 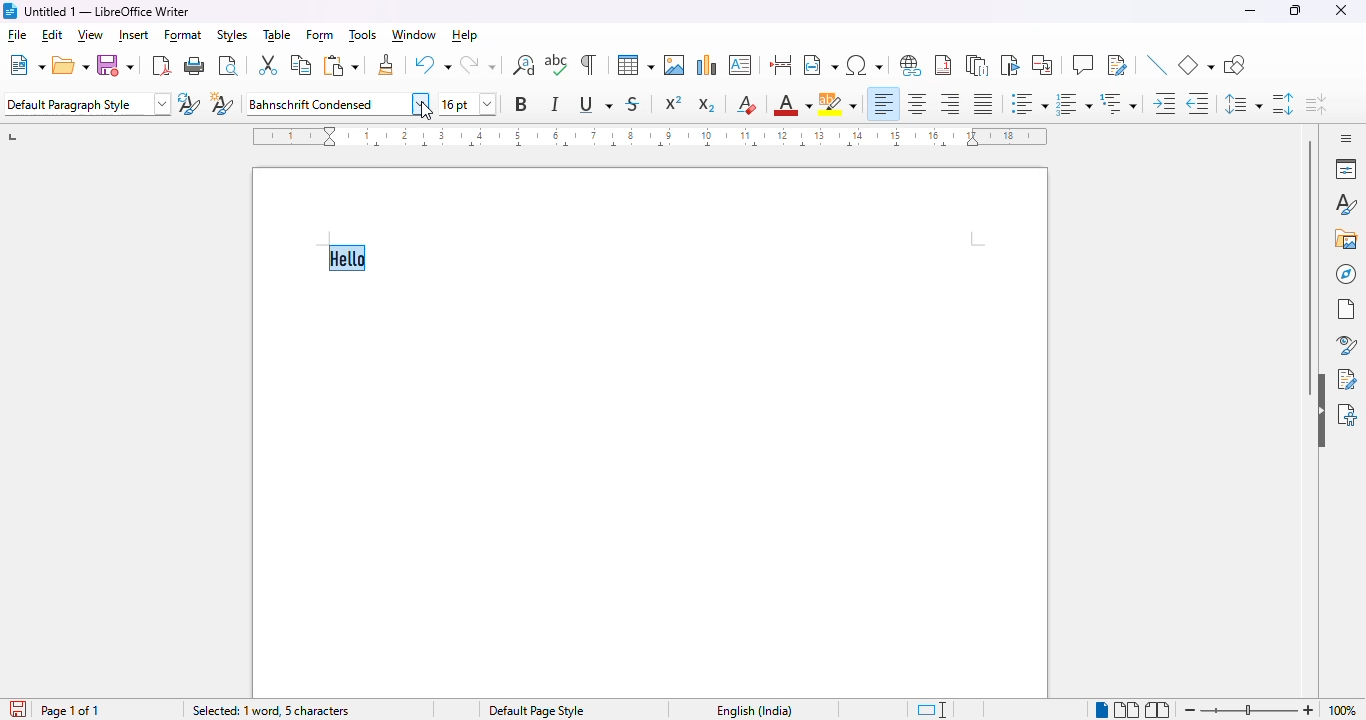 What do you see at coordinates (116, 65) in the screenshot?
I see `save` at bounding box center [116, 65].